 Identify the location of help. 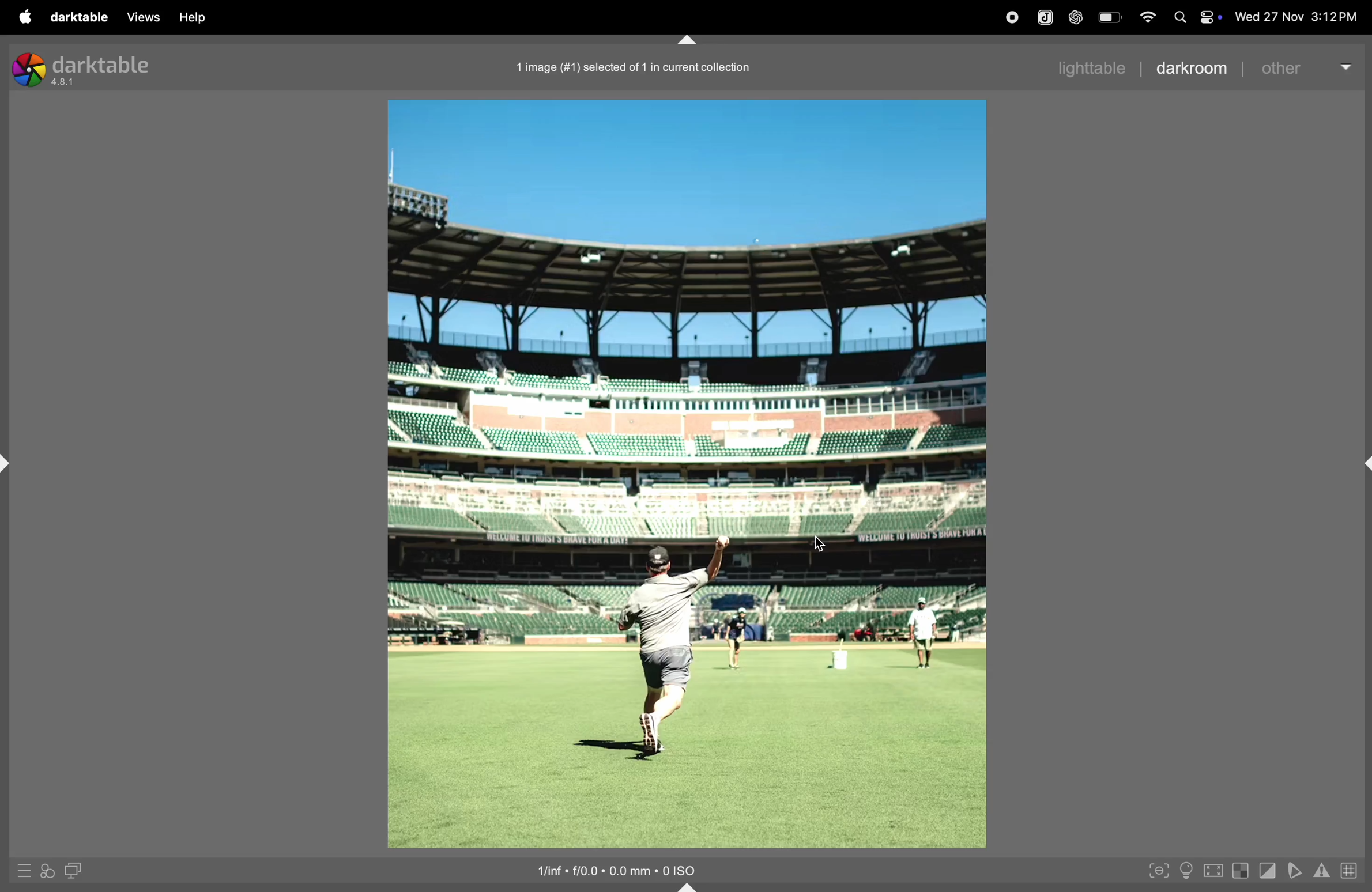
(193, 18).